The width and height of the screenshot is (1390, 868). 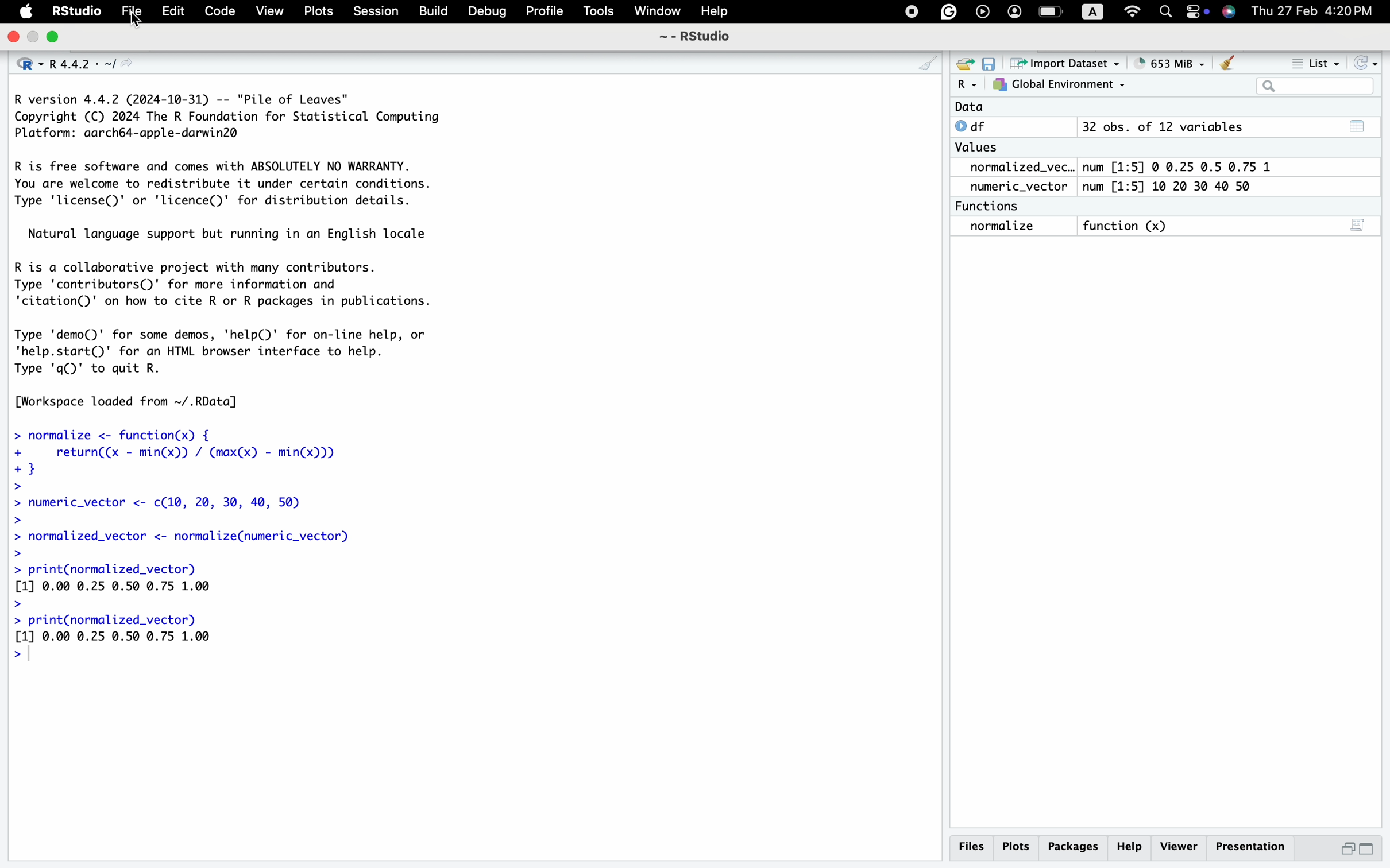 I want to click on Code, so click(x=240, y=377).